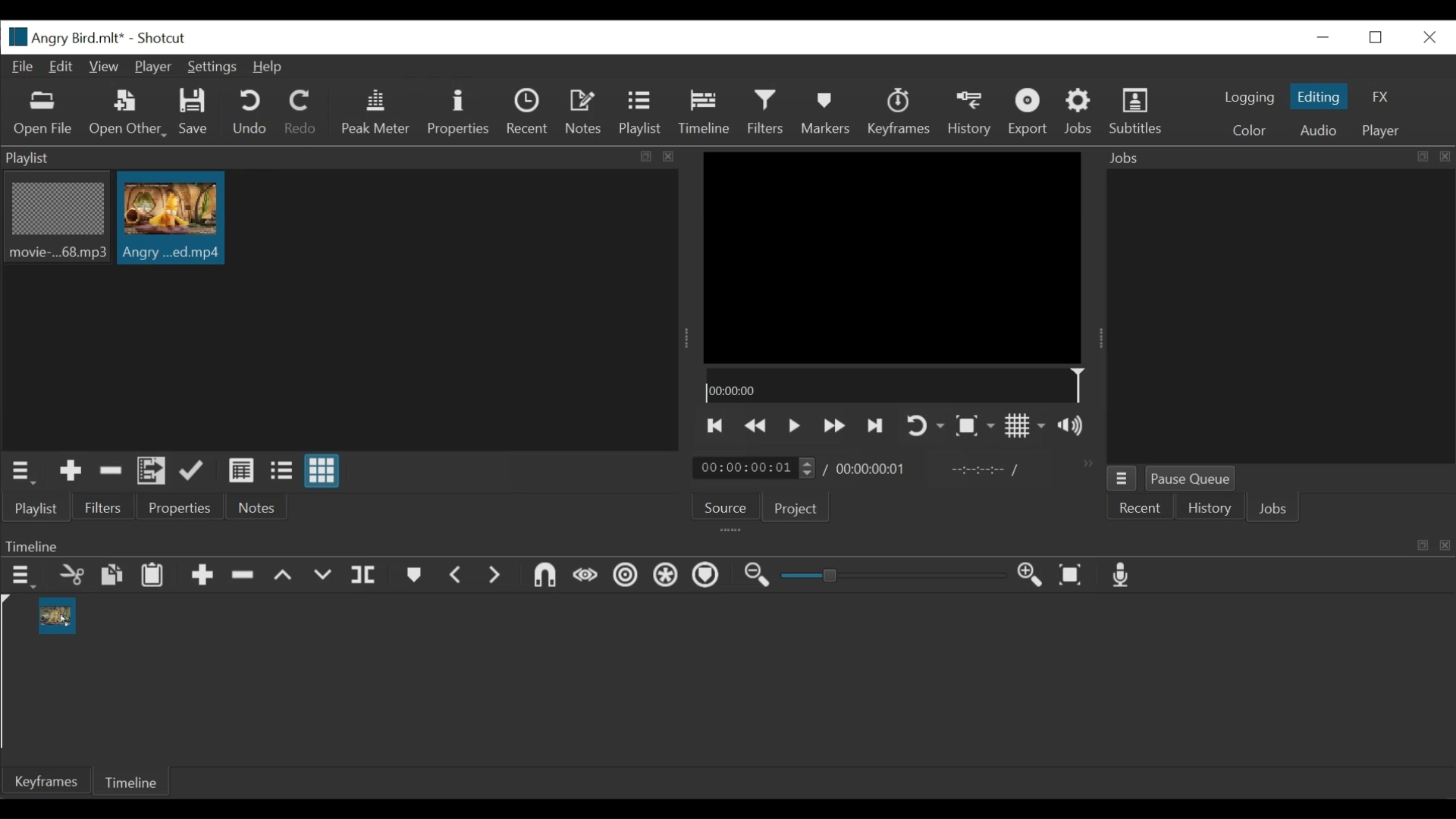 The height and width of the screenshot is (819, 1456). What do you see at coordinates (342, 158) in the screenshot?
I see `Playlist panel` at bounding box center [342, 158].